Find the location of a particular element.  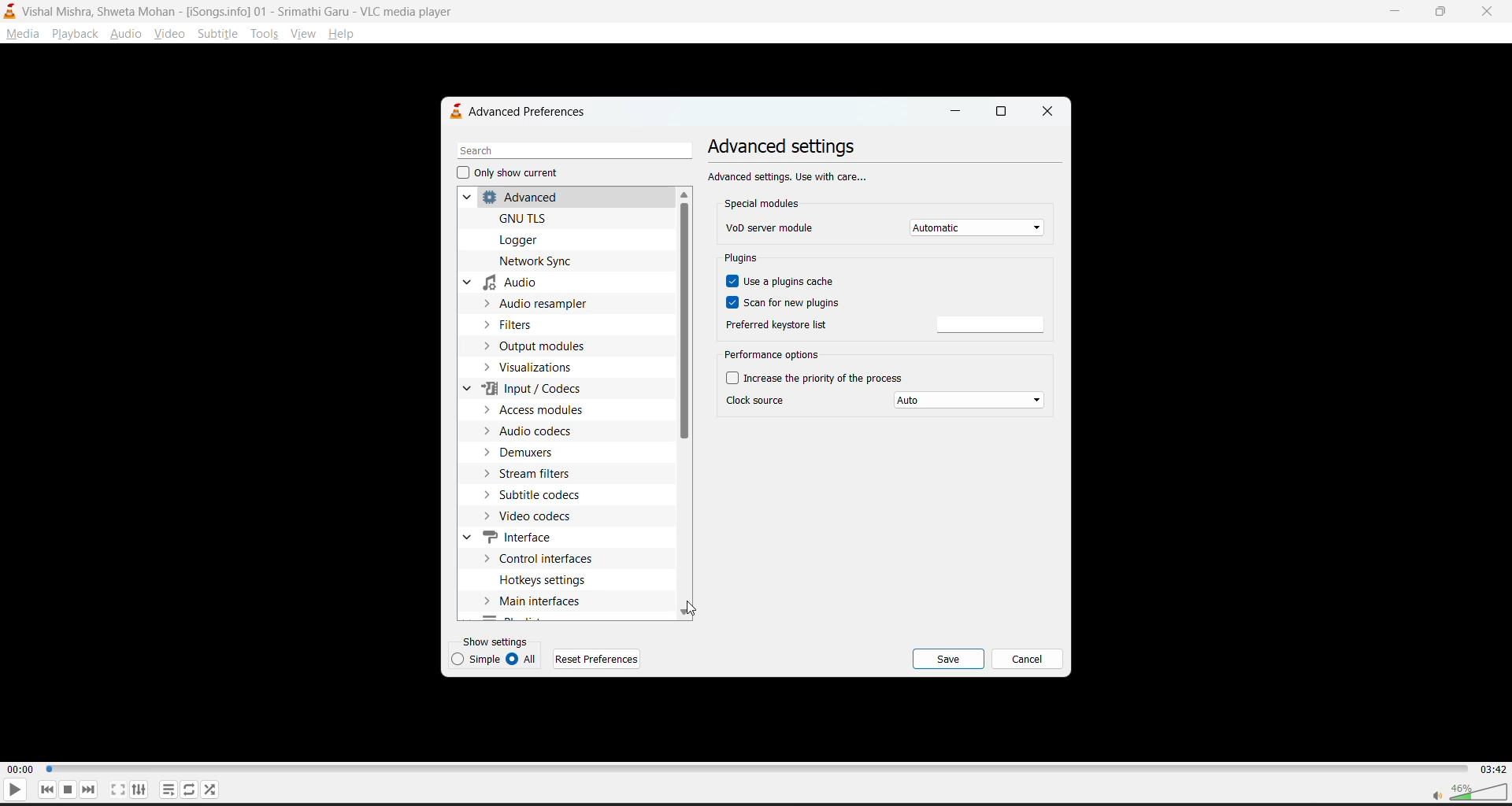

vod server module is located at coordinates (771, 227).